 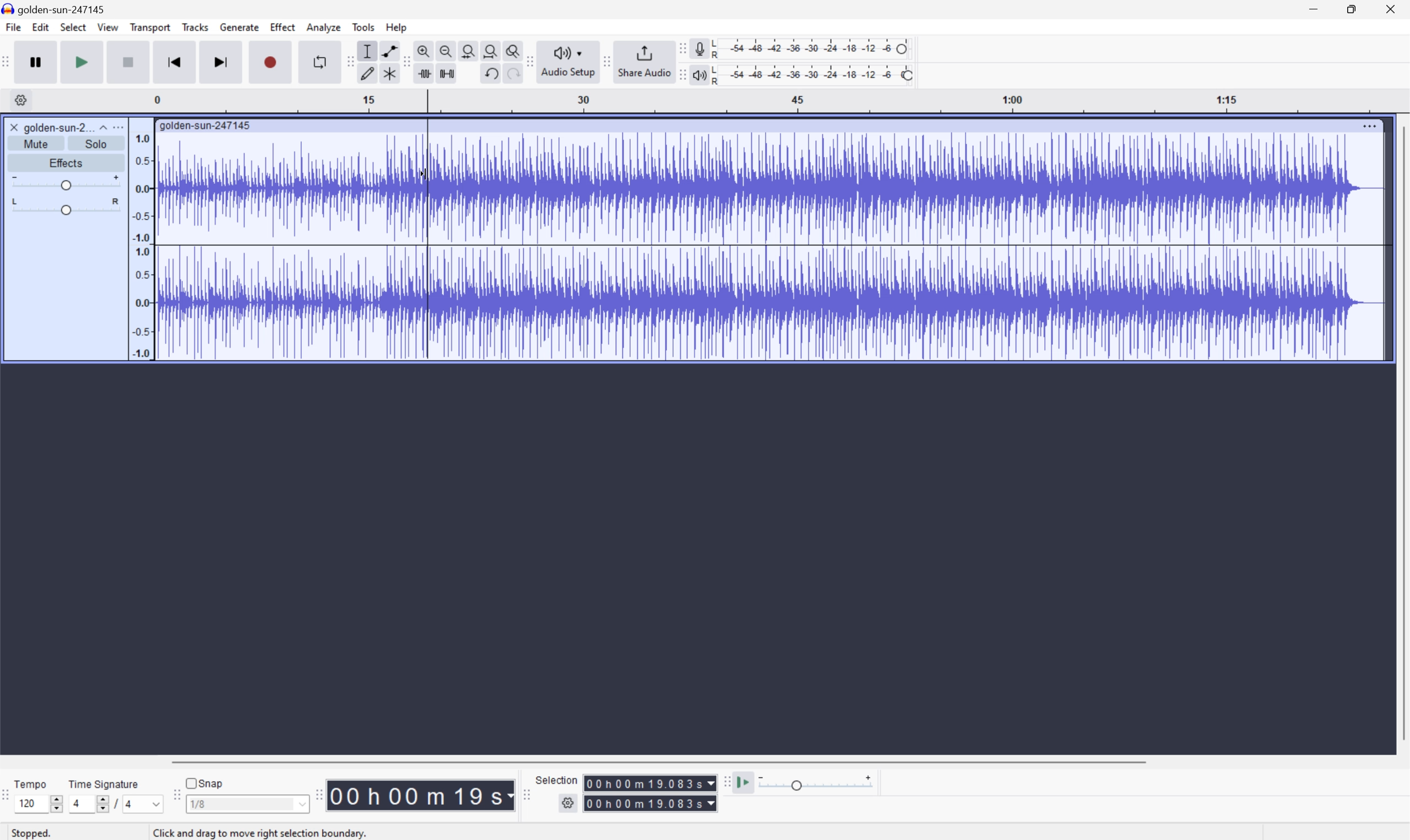 What do you see at coordinates (20, 100) in the screenshot?
I see `settings` at bounding box center [20, 100].